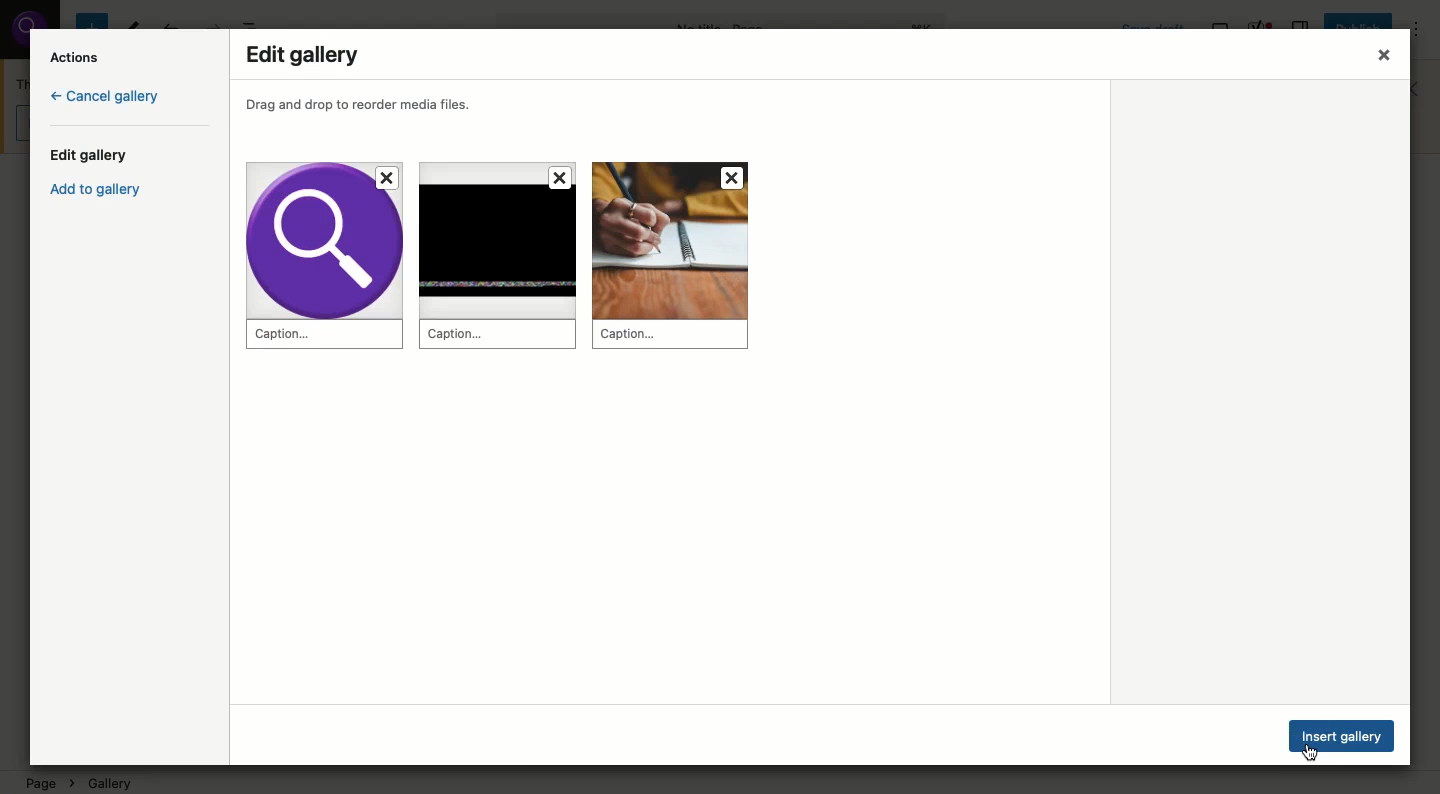 The height and width of the screenshot is (794, 1440). I want to click on Add to gallery, so click(104, 193).